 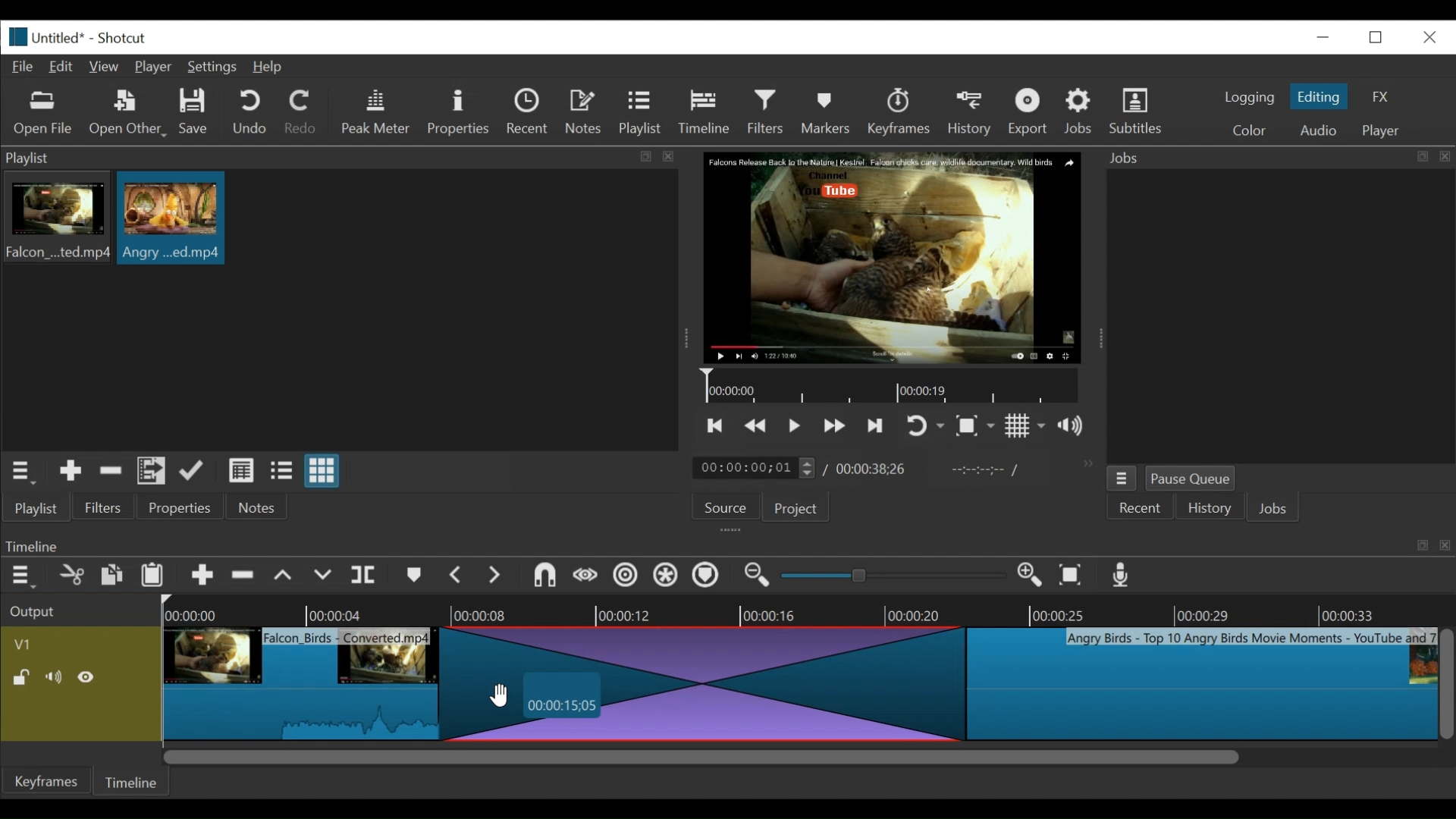 I want to click on Open Other, so click(x=129, y=114).